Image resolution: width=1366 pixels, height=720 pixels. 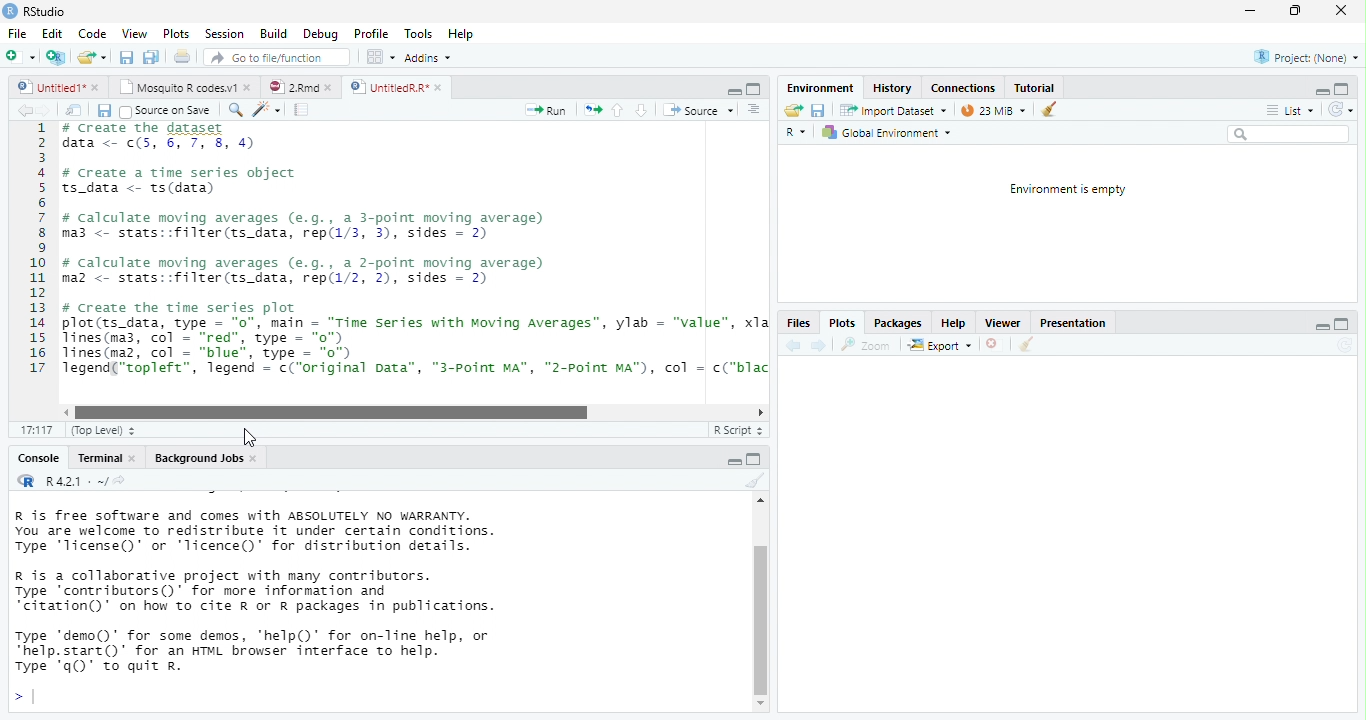 What do you see at coordinates (24, 110) in the screenshot?
I see `back` at bounding box center [24, 110].